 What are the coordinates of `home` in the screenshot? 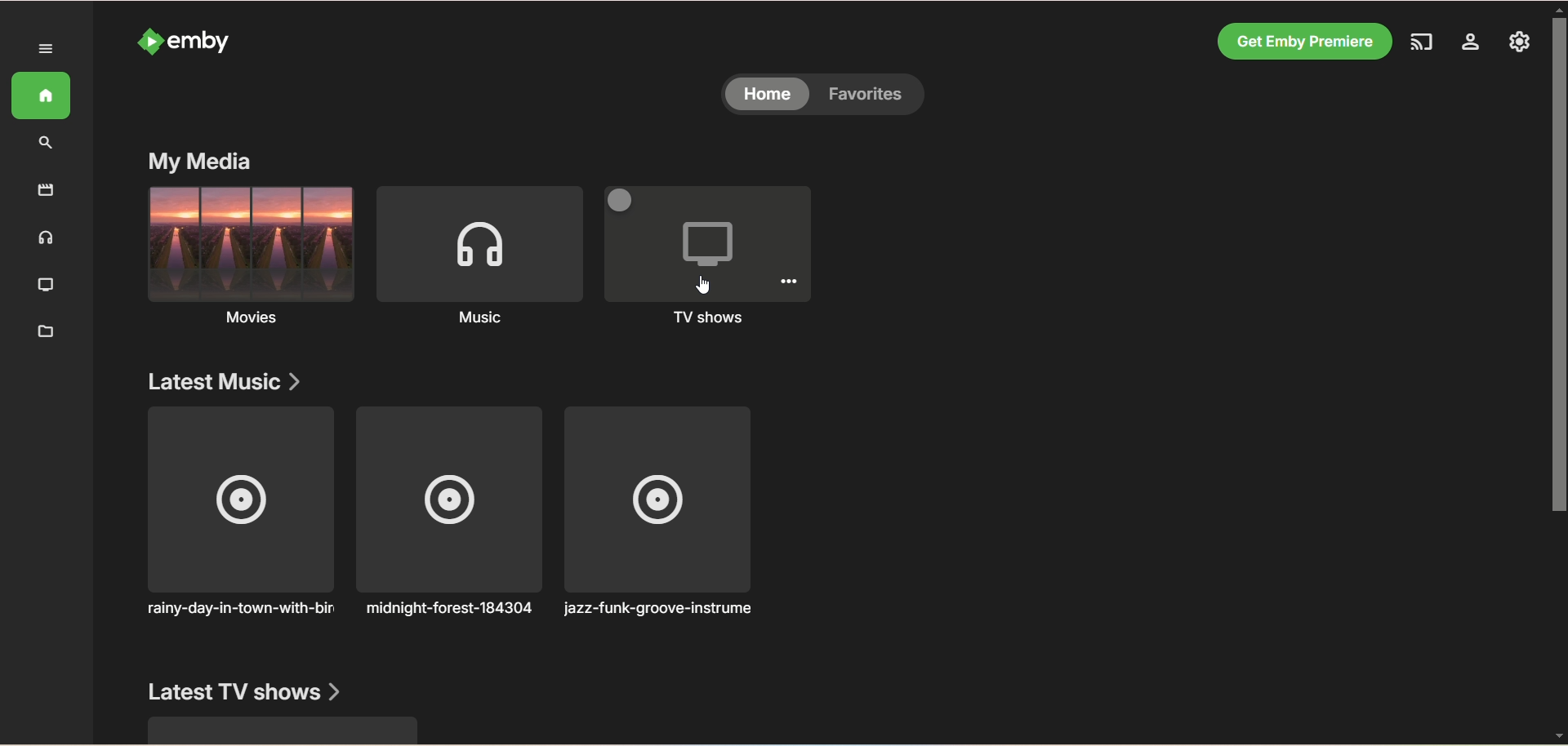 It's located at (38, 96).